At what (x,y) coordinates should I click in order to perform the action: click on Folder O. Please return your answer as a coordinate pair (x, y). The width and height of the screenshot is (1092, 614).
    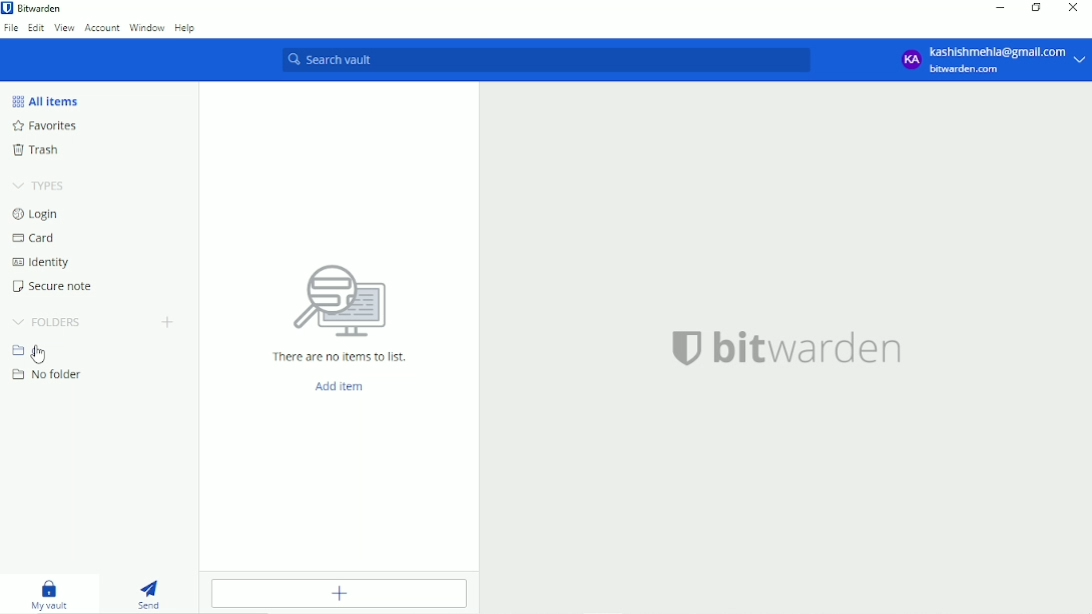
    Looking at the image, I should click on (31, 350).